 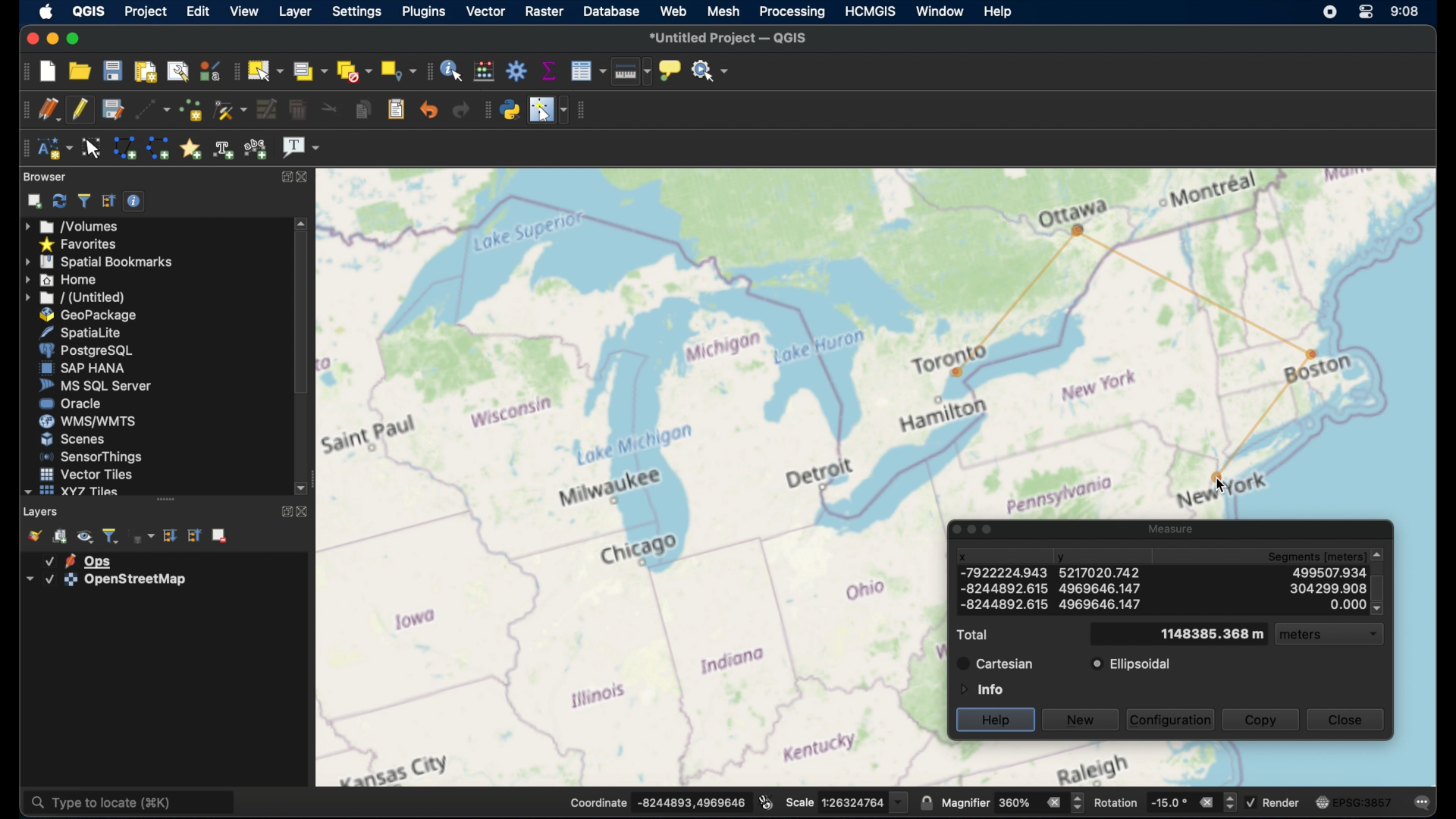 I want to click on copy features, so click(x=362, y=110).